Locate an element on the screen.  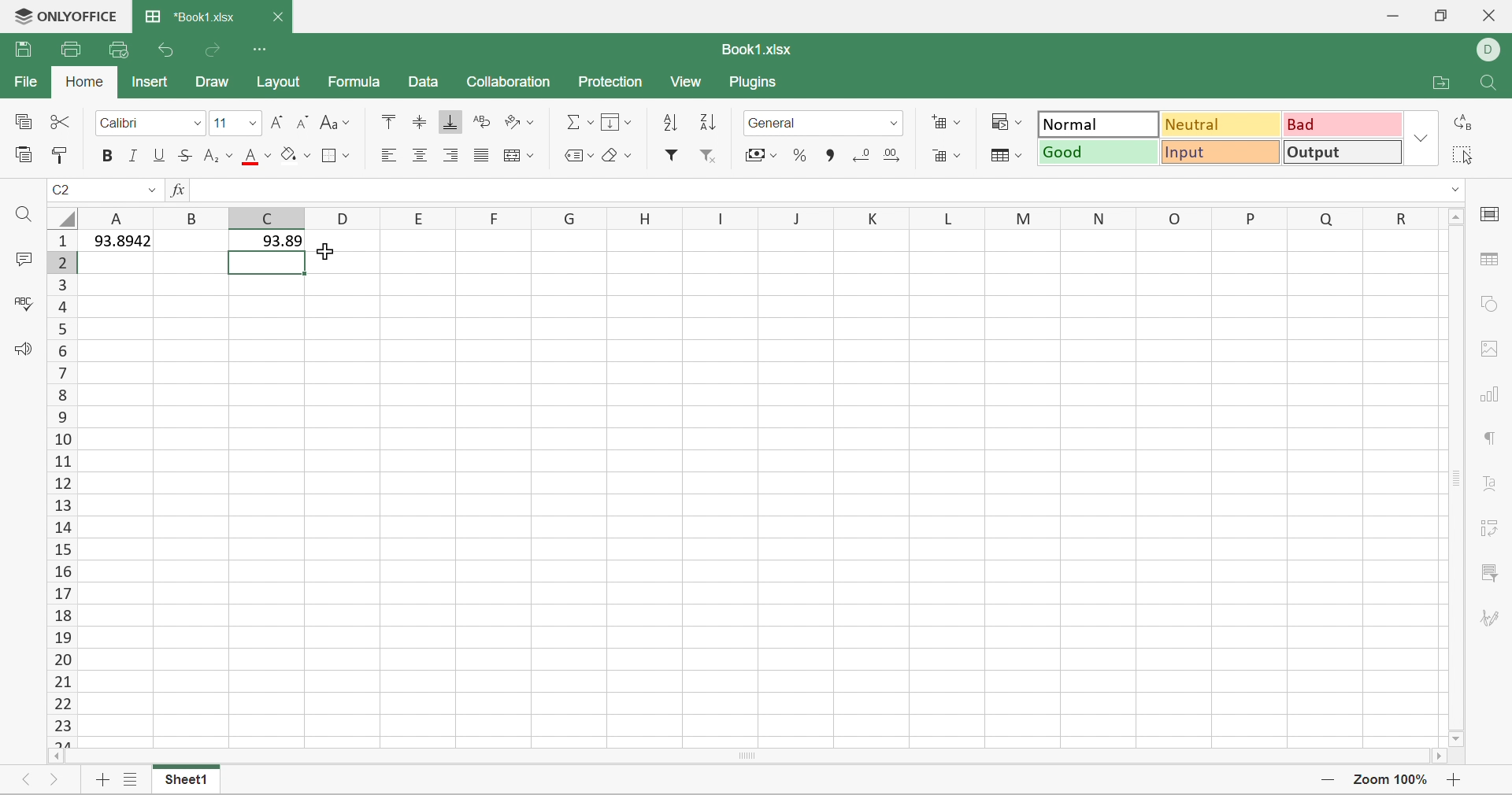
Formula is located at coordinates (355, 83).